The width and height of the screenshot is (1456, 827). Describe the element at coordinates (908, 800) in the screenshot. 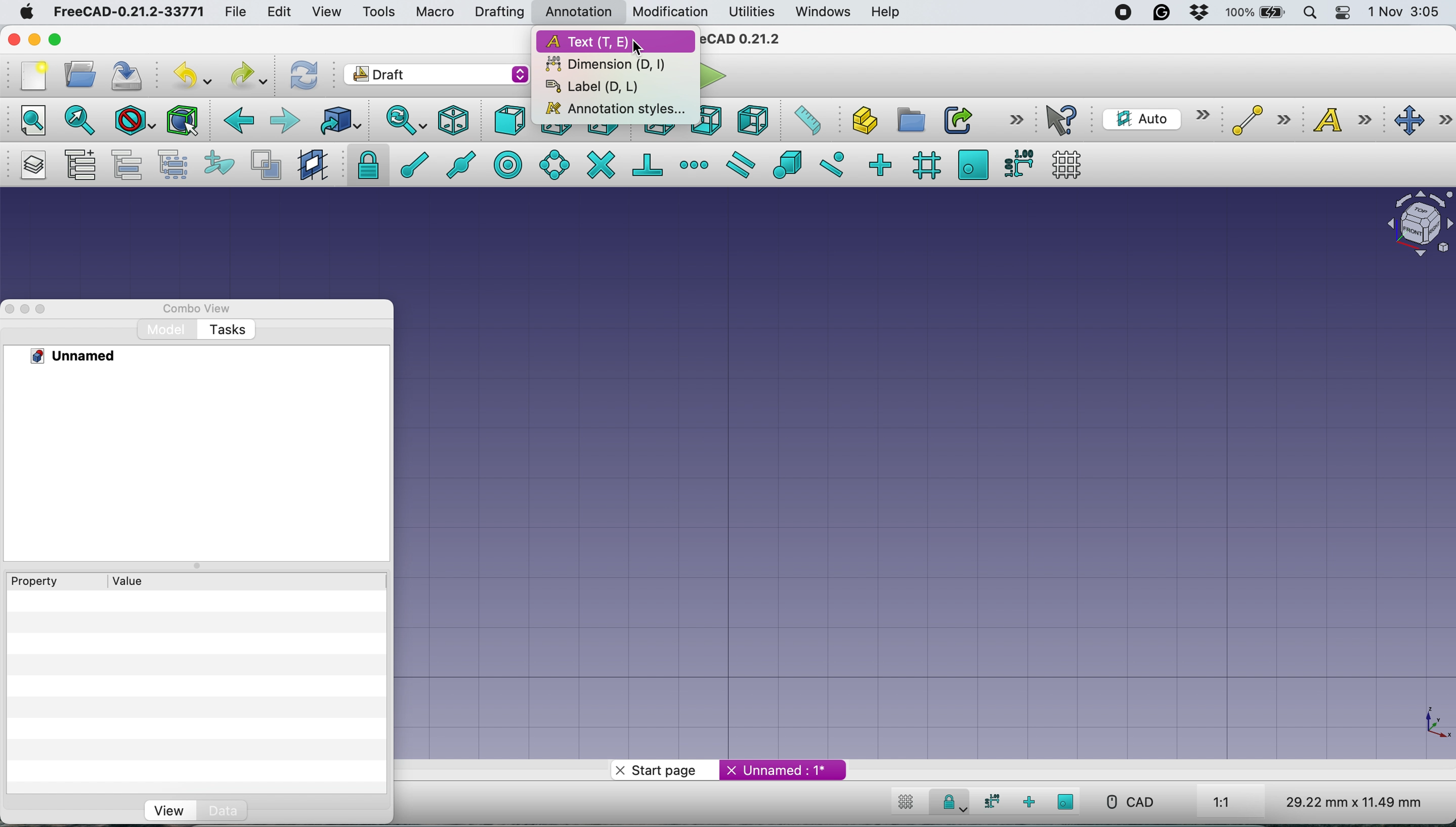

I see `toggle grid` at that location.